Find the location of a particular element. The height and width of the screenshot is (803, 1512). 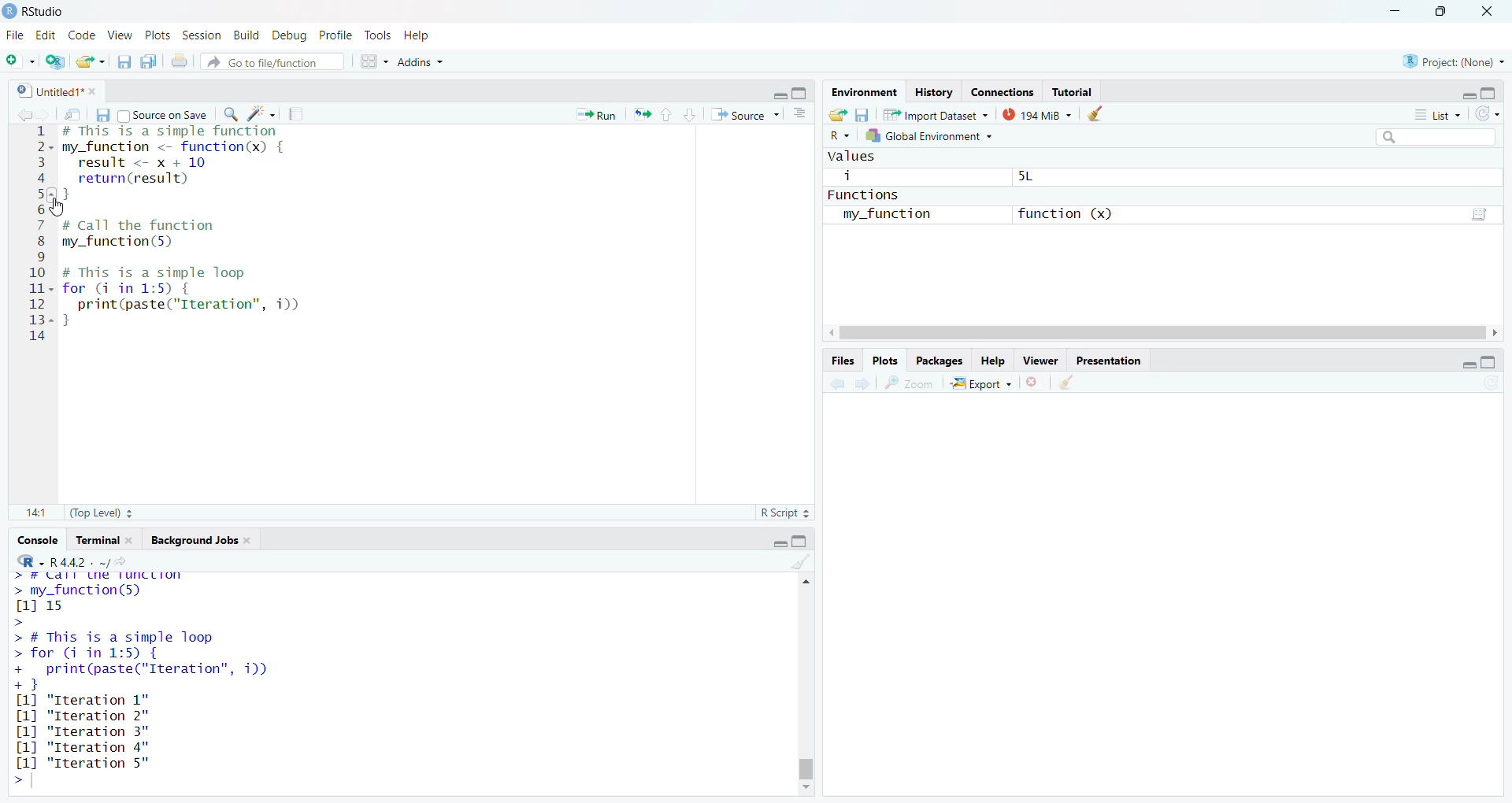

close is located at coordinates (98, 91).